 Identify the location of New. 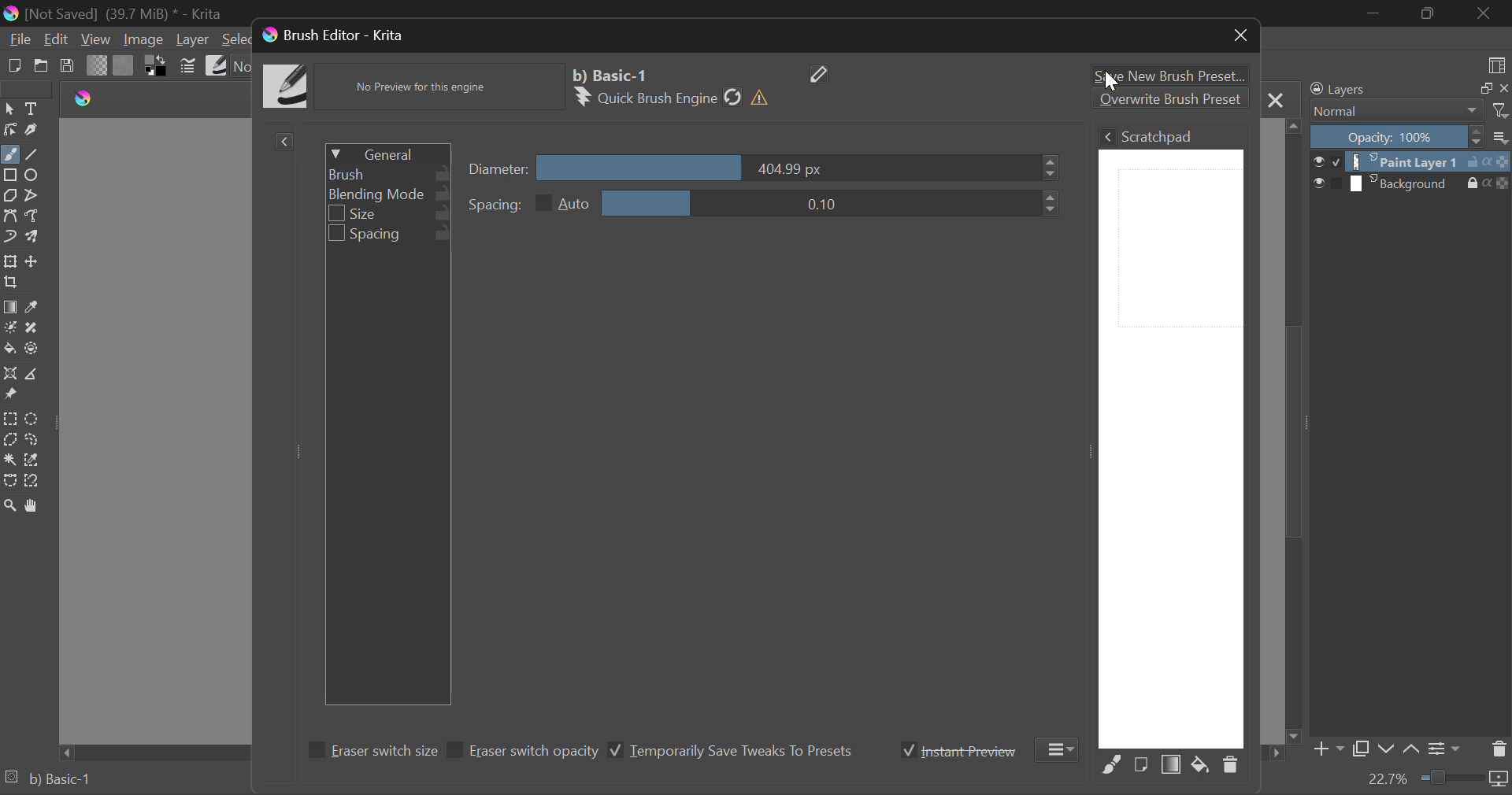
(14, 65).